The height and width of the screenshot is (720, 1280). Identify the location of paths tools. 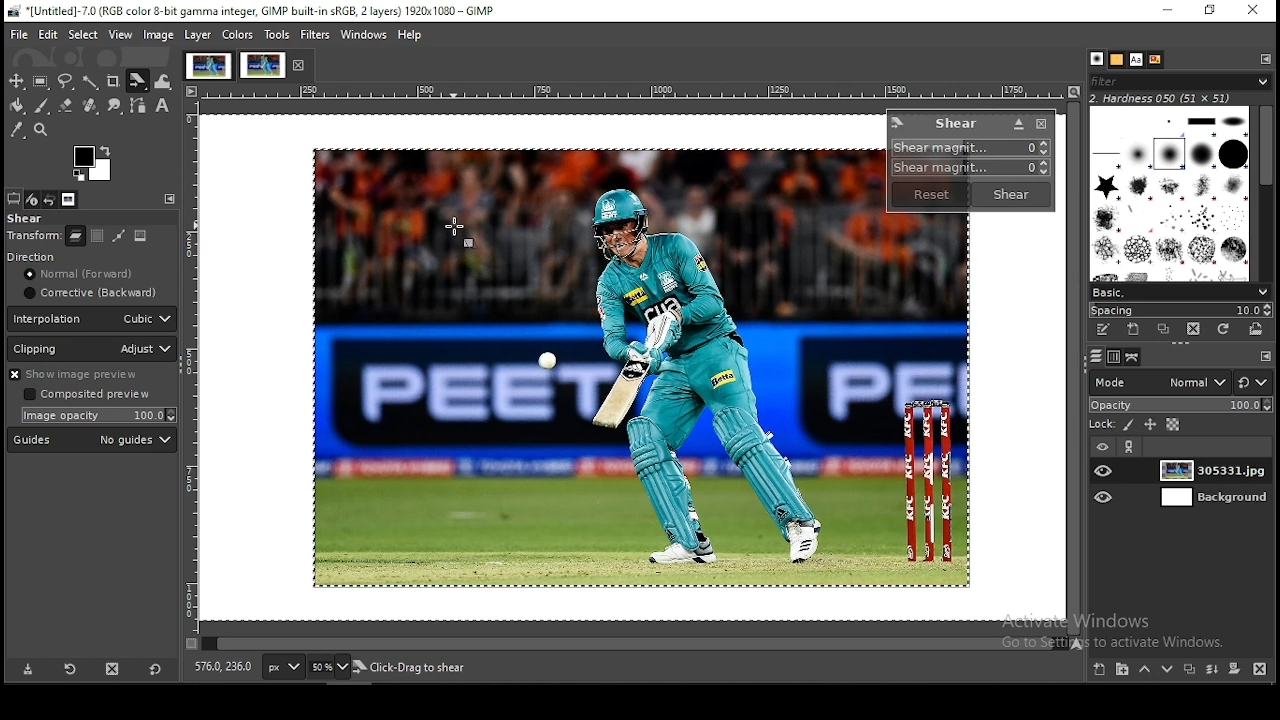
(138, 105).